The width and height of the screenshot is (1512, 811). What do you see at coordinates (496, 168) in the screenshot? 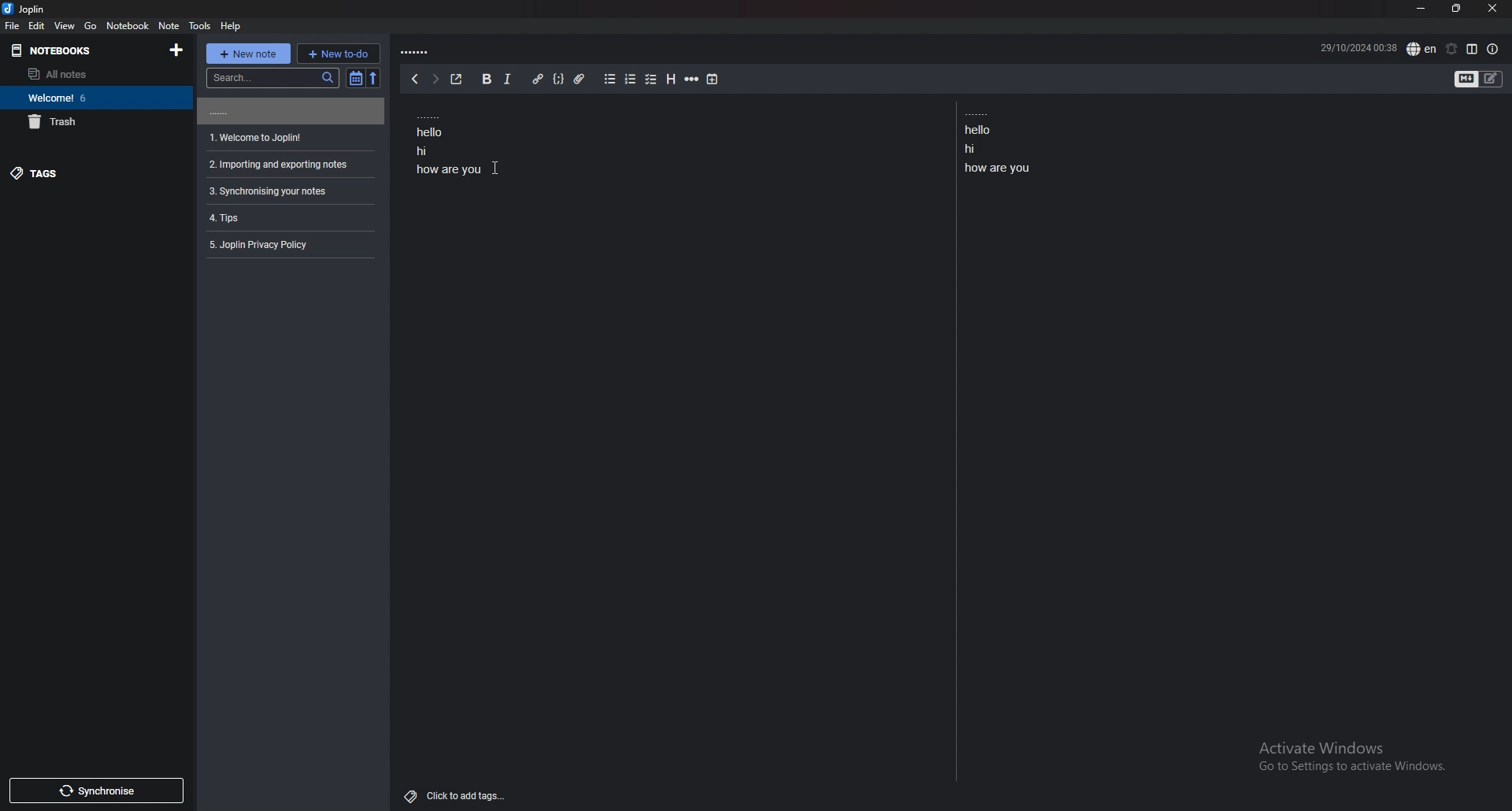
I see `` at bounding box center [496, 168].